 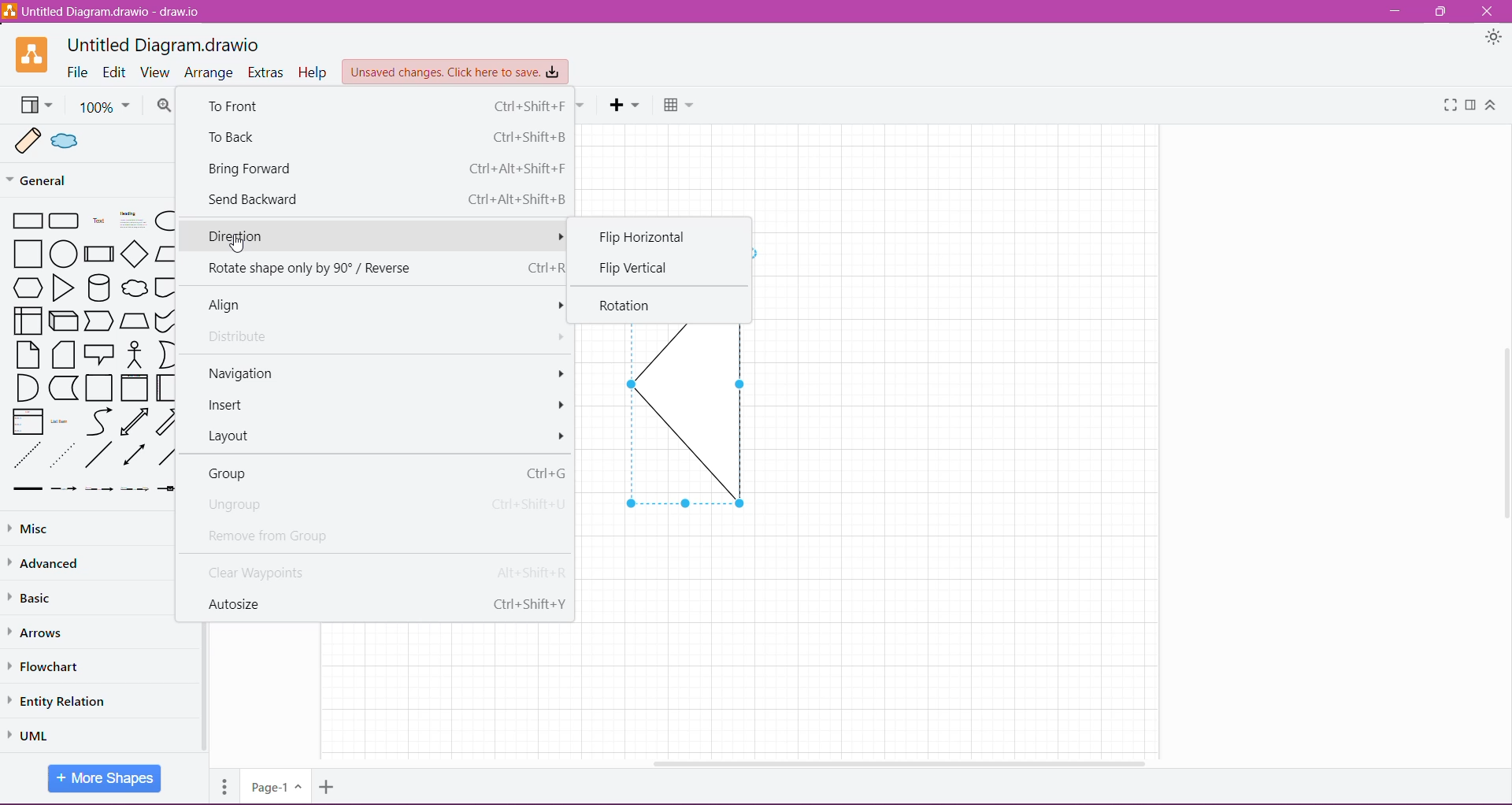 I want to click on Insert, so click(x=387, y=406).